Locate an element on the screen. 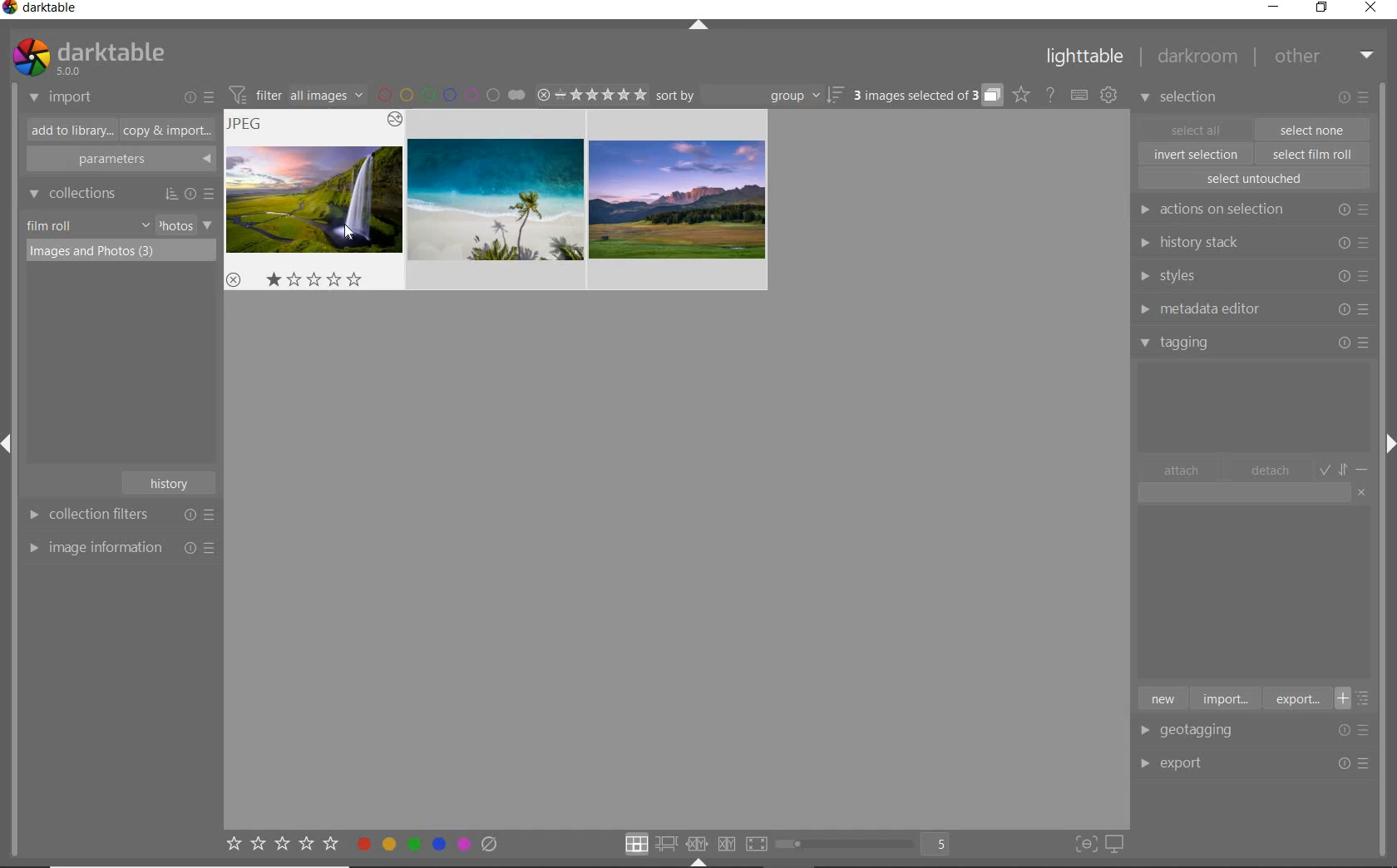 This screenshot has width=1397, height=868. set keyboard shortcut is located at coordinates (1079, 96).